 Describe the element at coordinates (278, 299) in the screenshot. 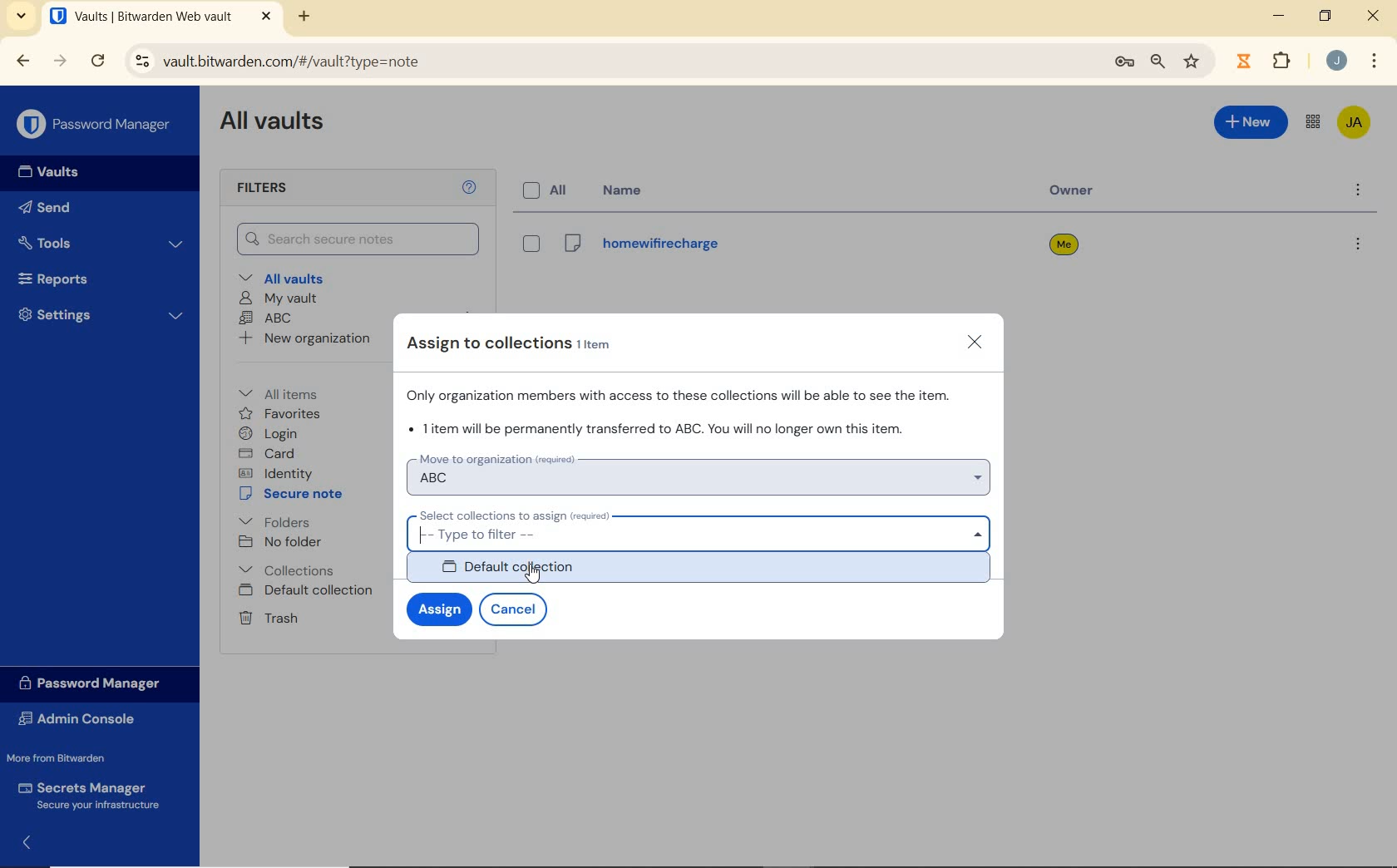

I see `My Vault` at that location.